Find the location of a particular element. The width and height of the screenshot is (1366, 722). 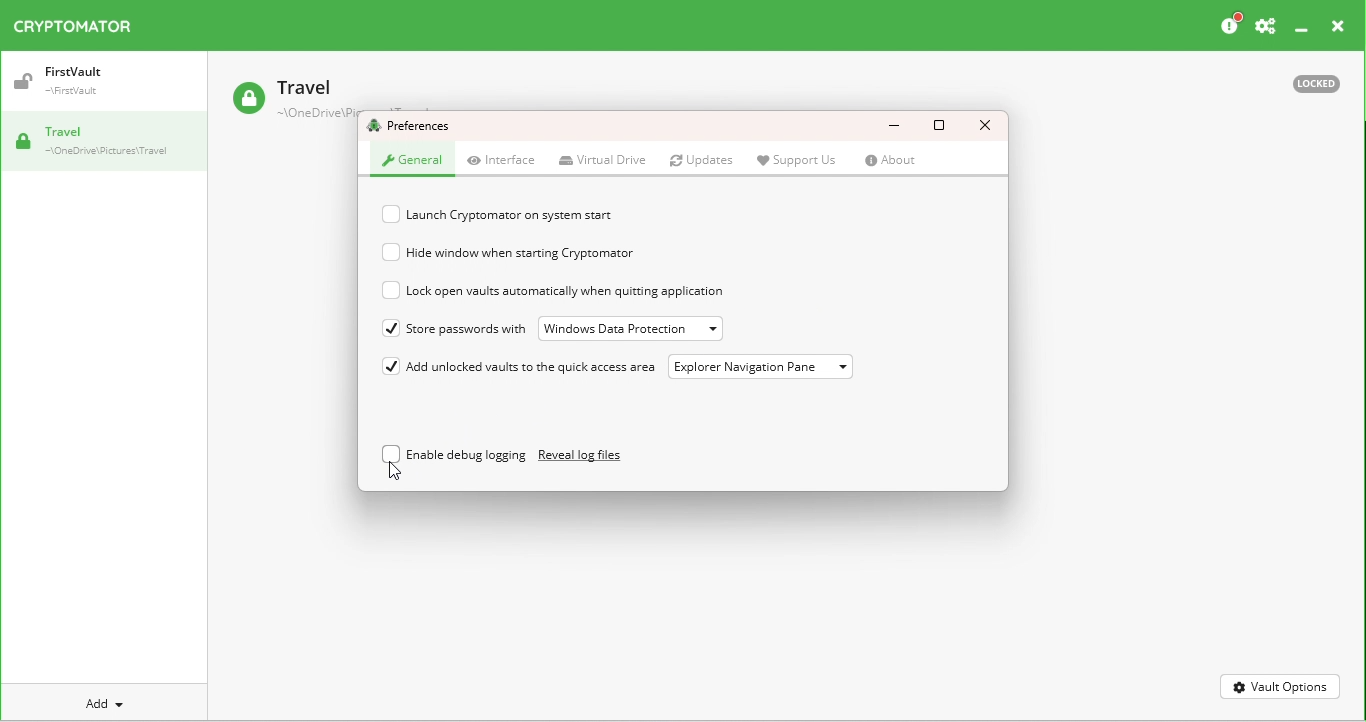

About is located at coordinates (890, 162).